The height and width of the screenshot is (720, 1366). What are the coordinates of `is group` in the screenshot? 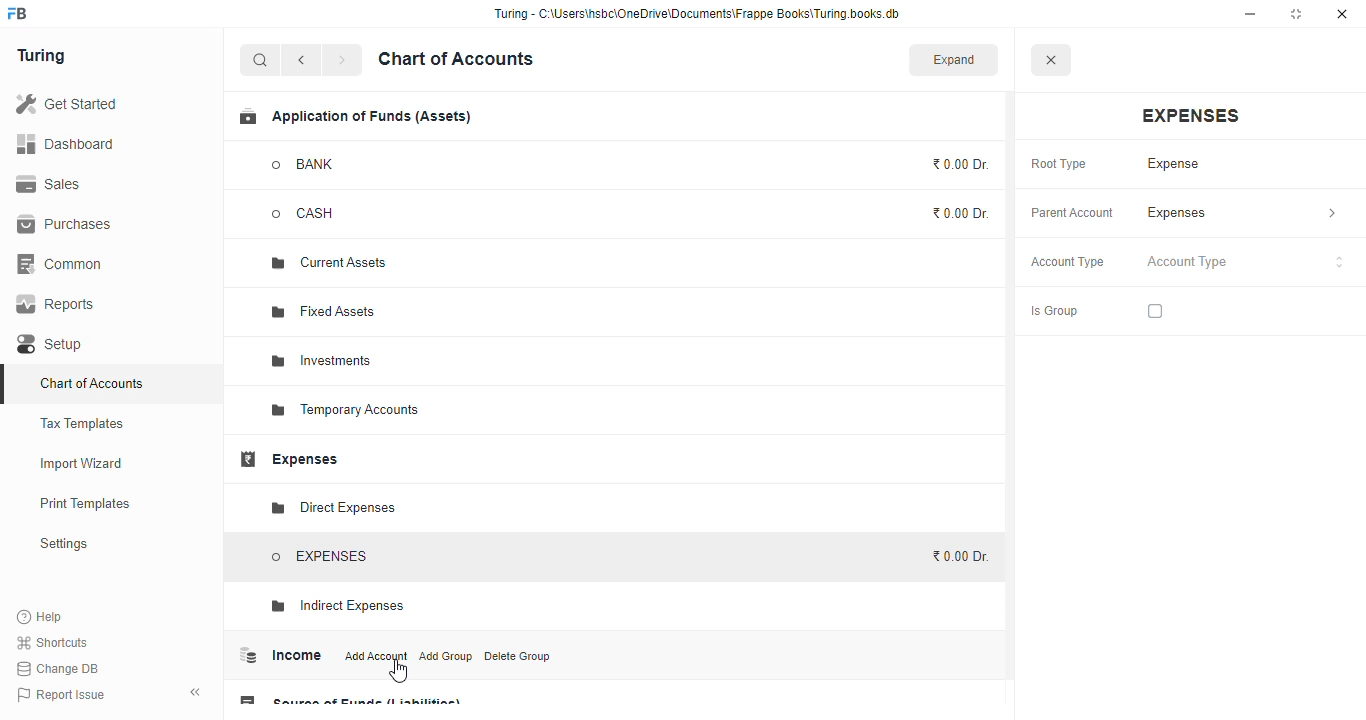 It's located at (1054, 312).